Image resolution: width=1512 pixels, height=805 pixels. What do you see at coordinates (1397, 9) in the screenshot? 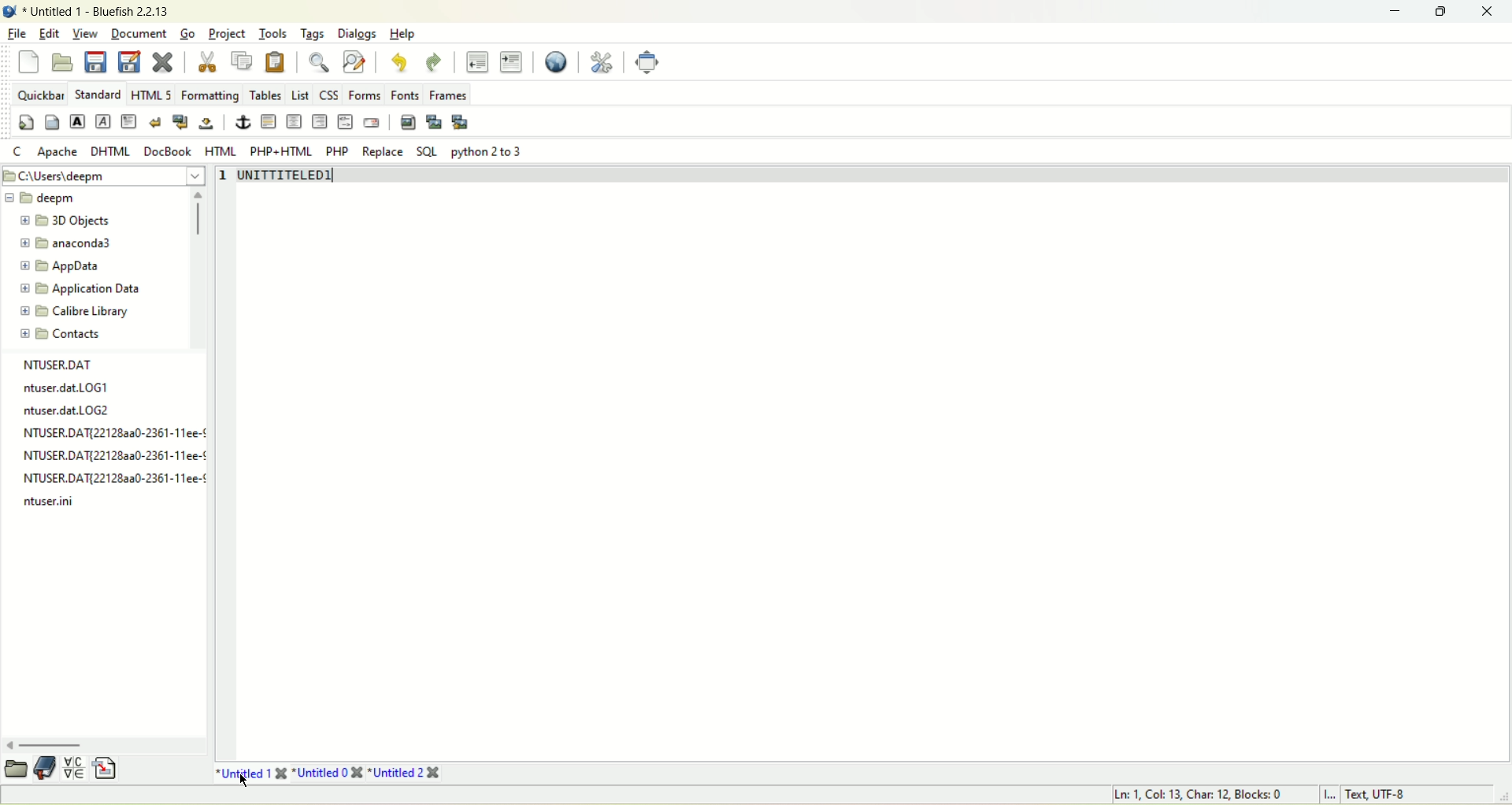
I see `minimize` at bounding box center [1397, 9].